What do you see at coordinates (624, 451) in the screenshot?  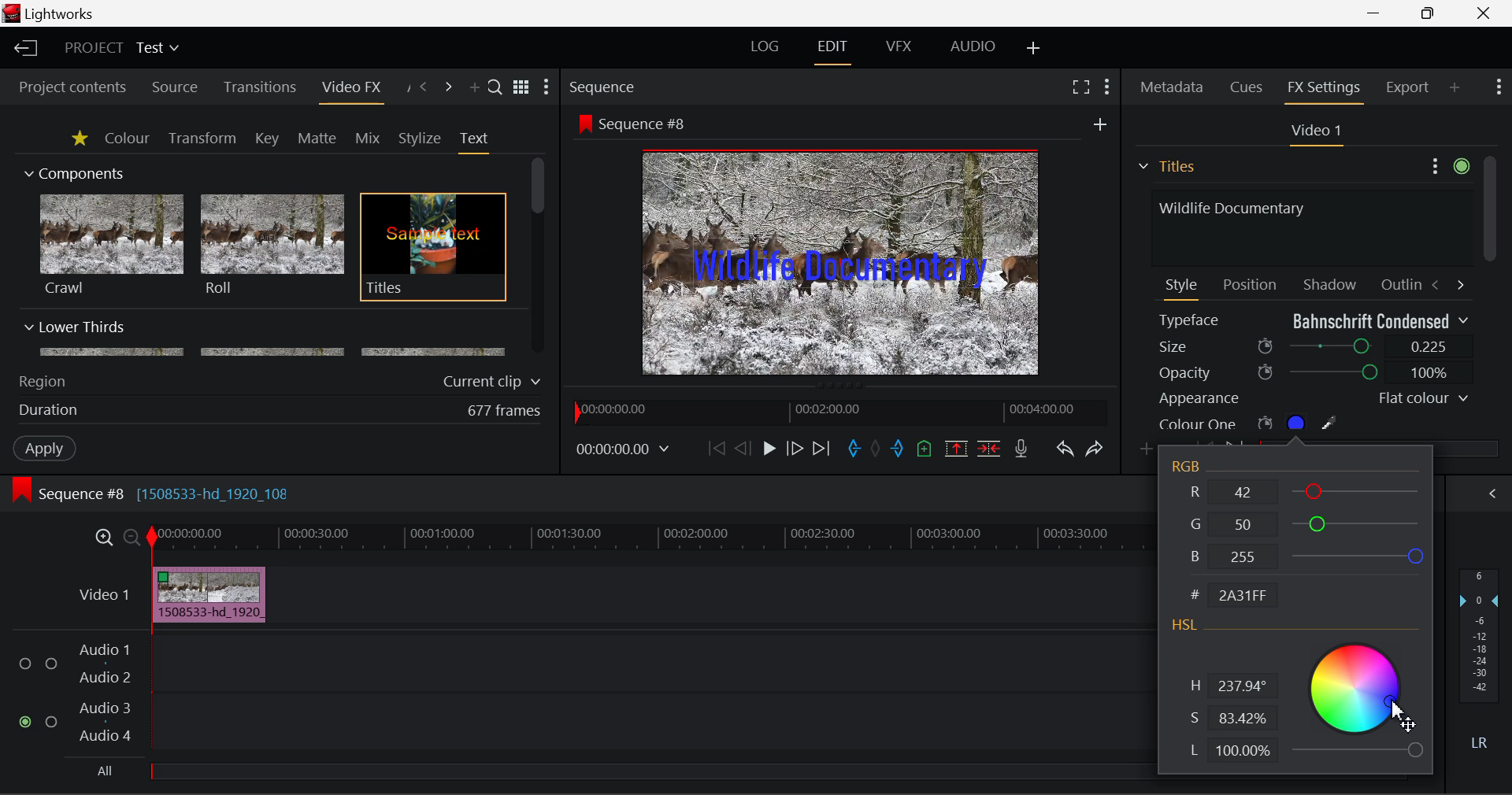 I see `Frame Time` at bounding box center [624, 451].